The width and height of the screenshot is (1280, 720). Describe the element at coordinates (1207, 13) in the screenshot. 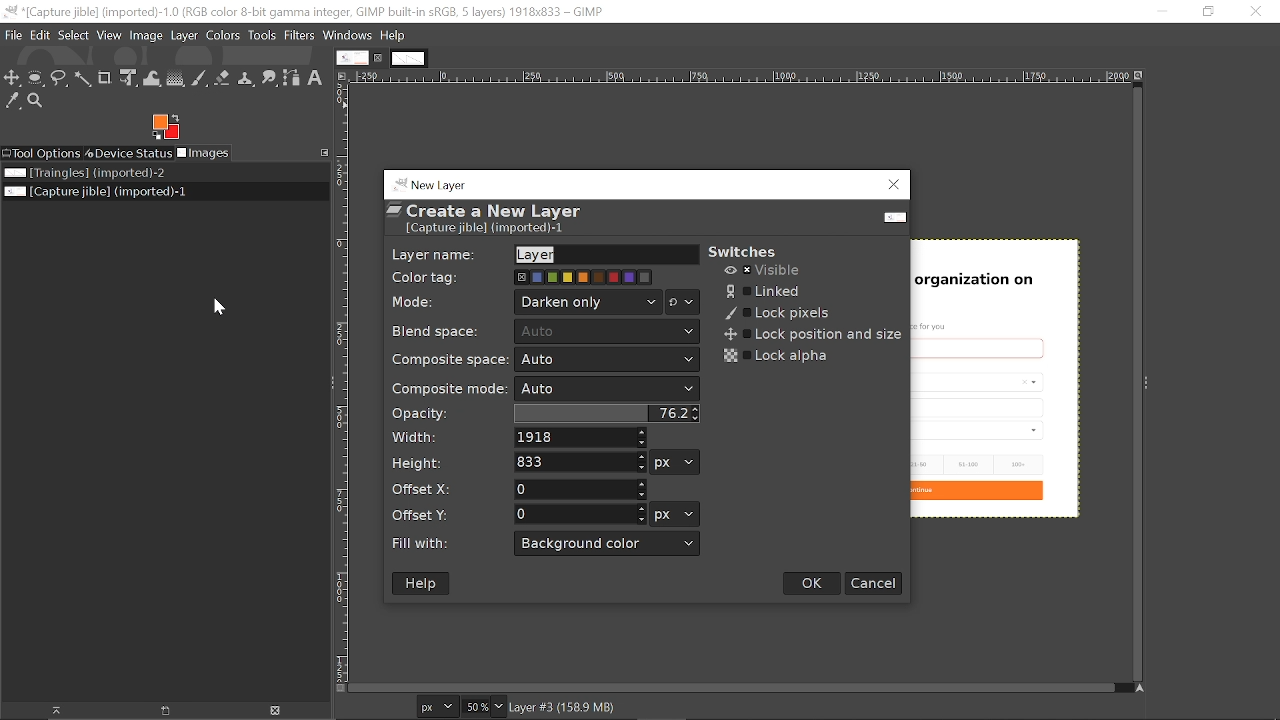

I see `Restore down` at that location.